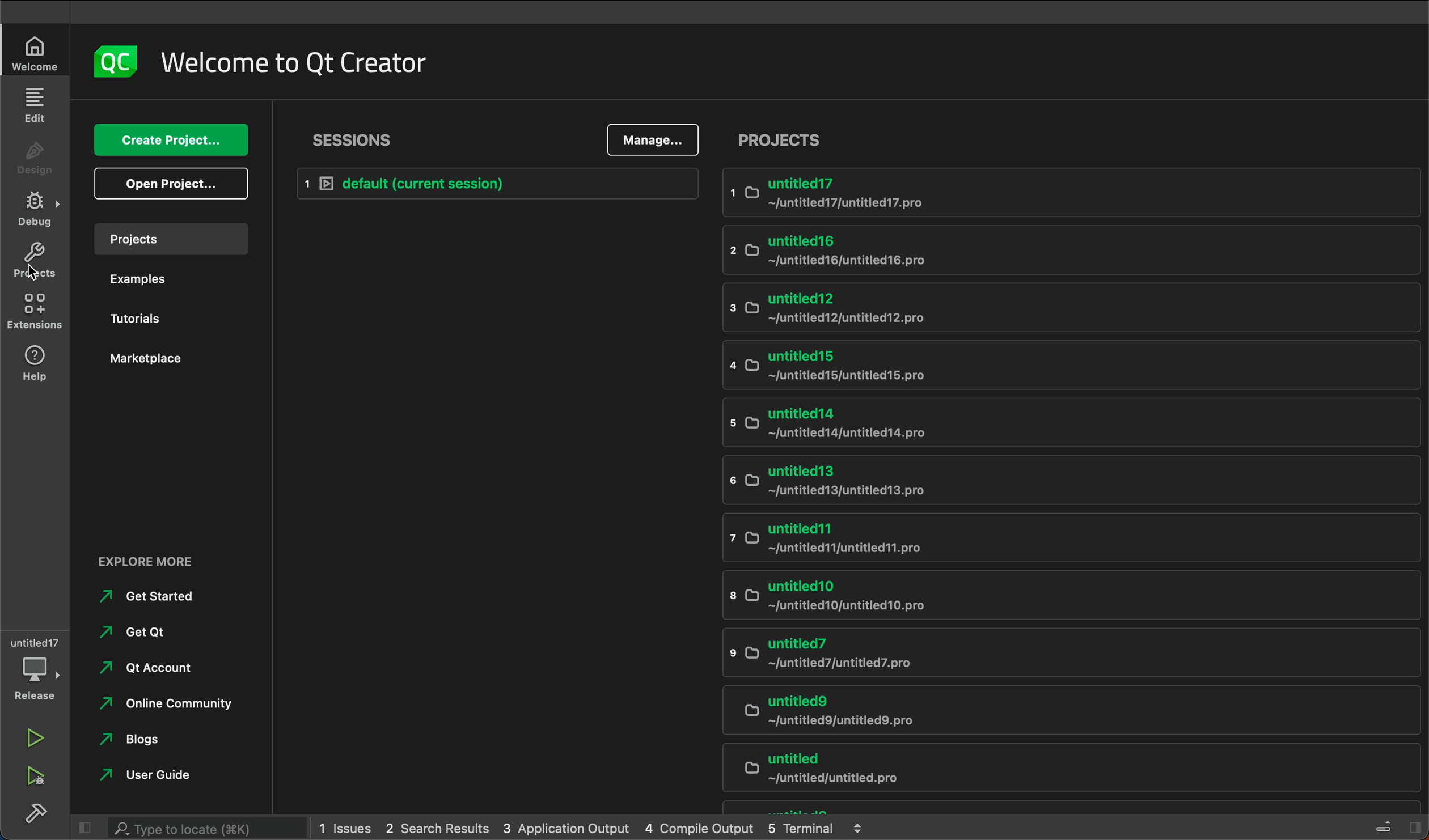  I want to click on search, so click(191, 828).